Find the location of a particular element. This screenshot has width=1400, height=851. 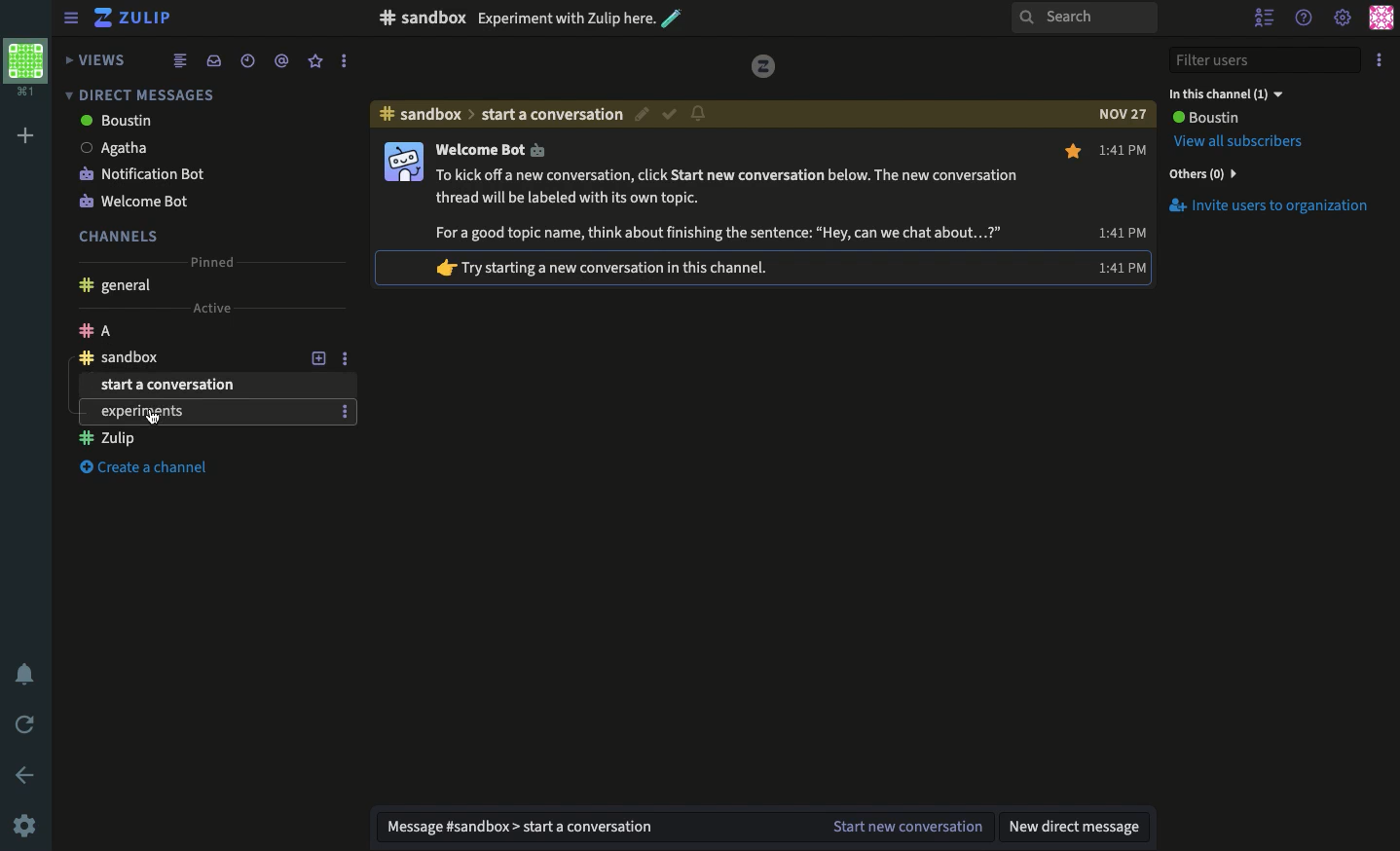

Options  is located at coordinates (1382, 56).